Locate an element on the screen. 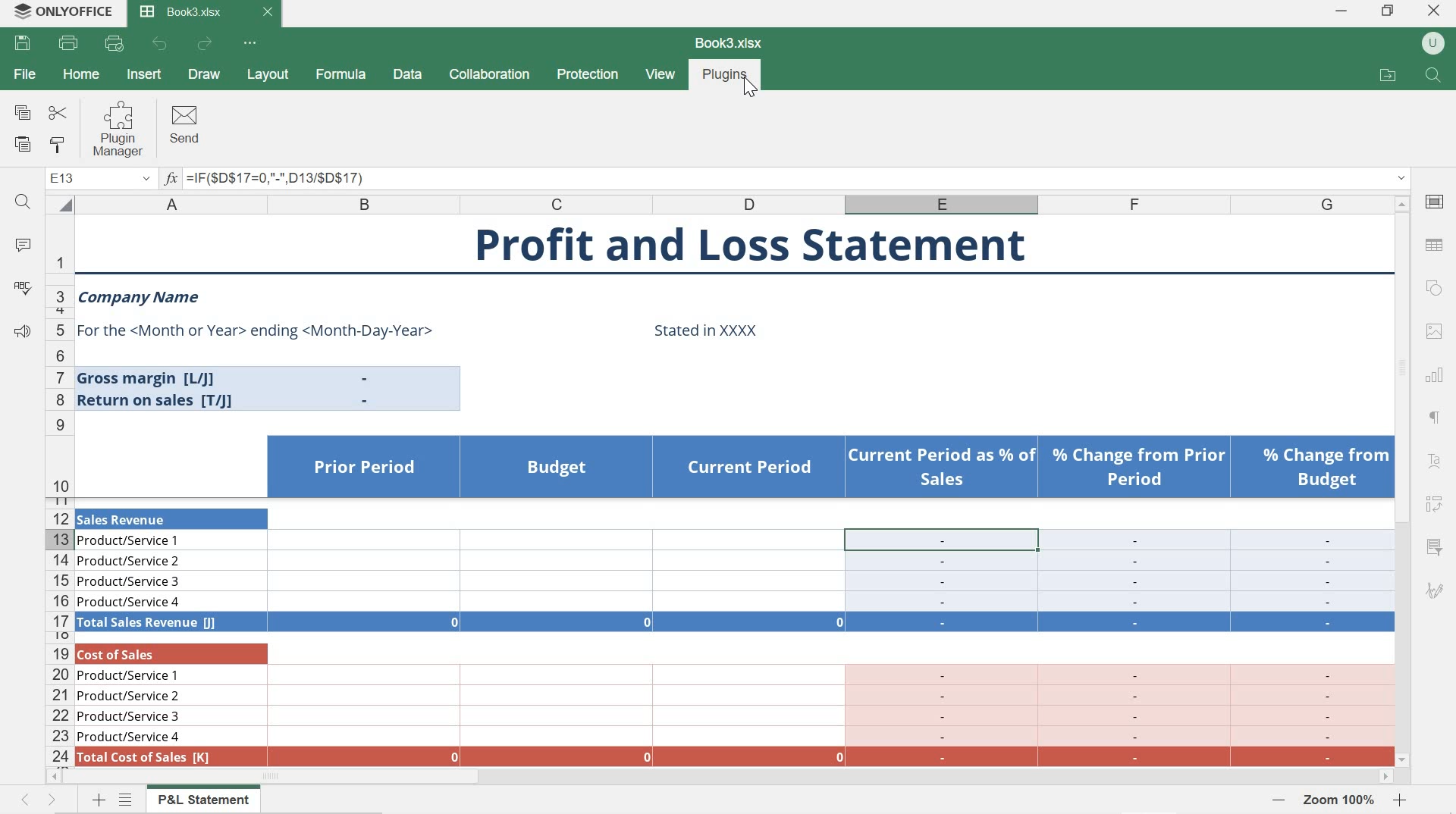  book3.xlsx is located at coordinates (190, 14).